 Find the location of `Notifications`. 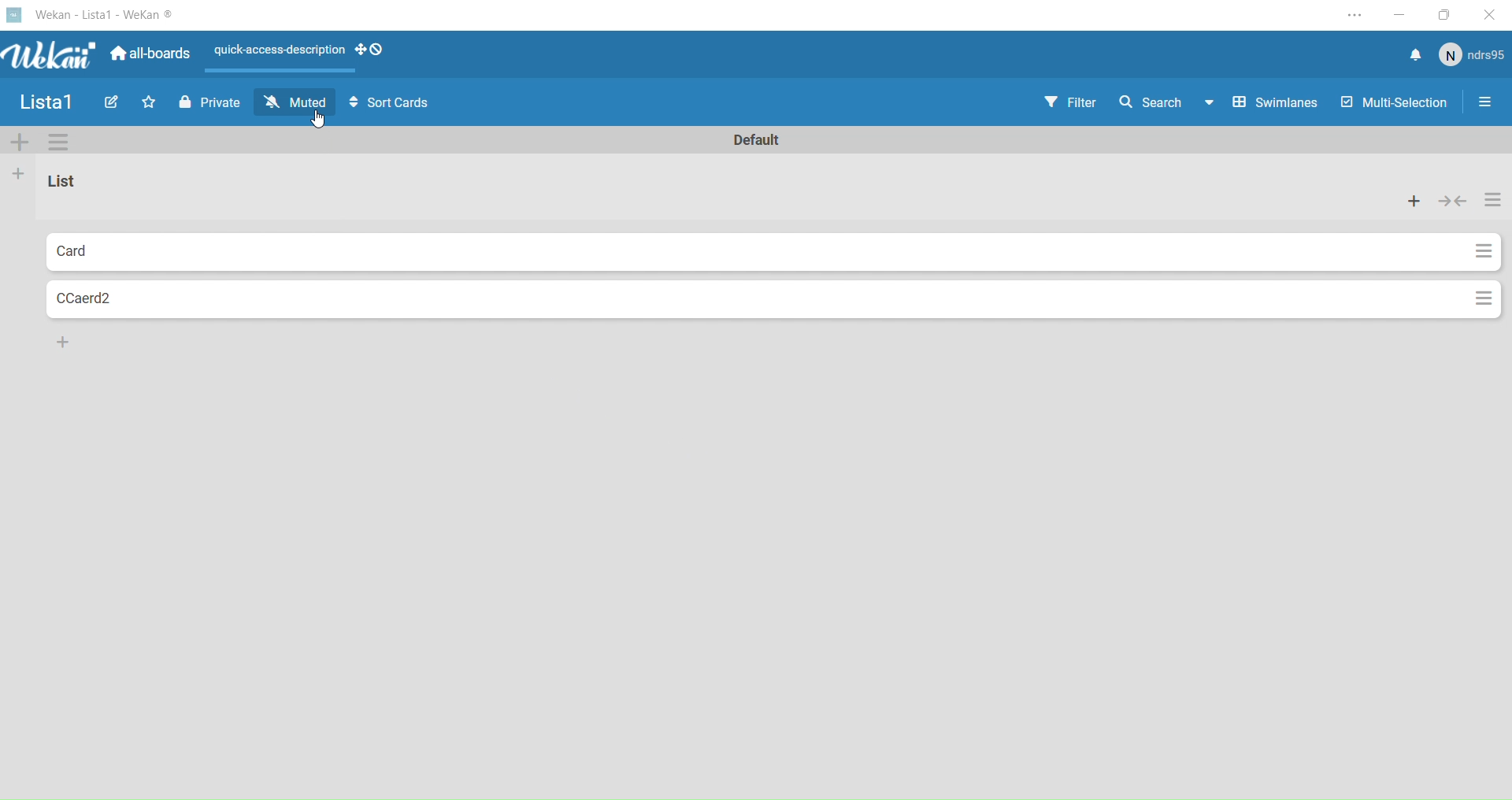

Notifications is located at coordinates (1412, 54).